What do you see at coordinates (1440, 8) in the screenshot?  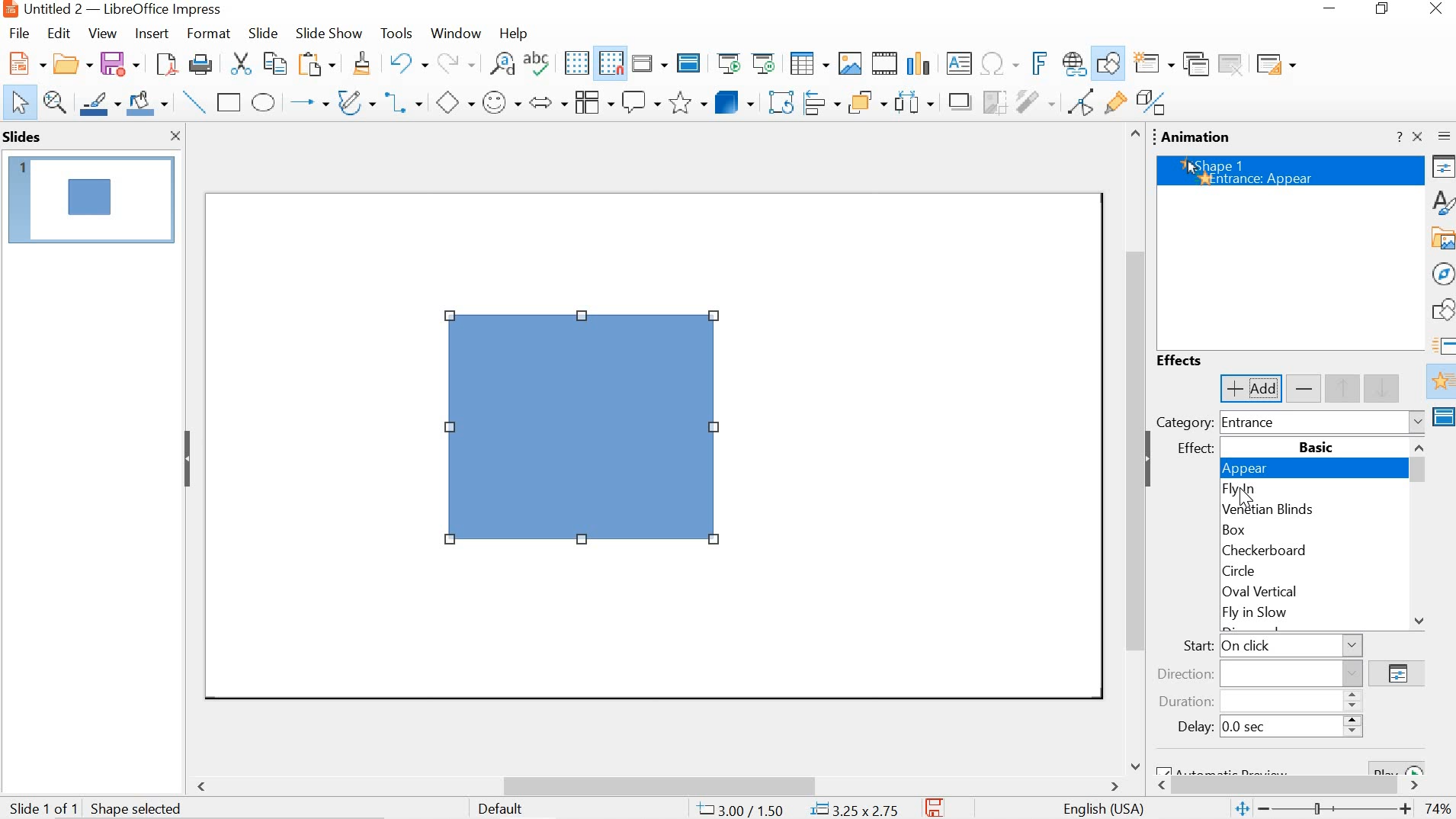 I see `close` at bounding box center [1440, 8].